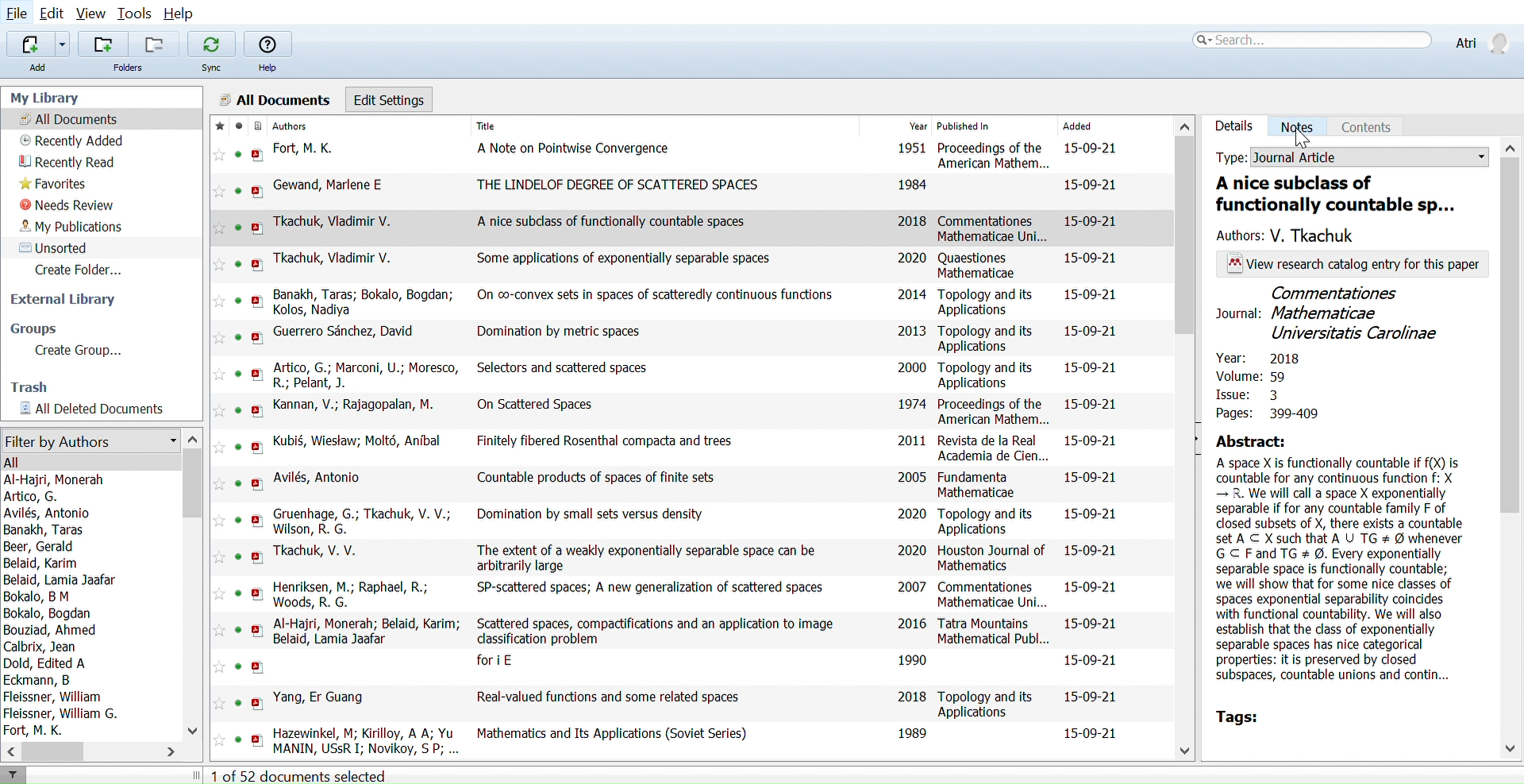  Describe the element at coordinates (67, 206) in the screenshot. I see `Needs review` at that location.